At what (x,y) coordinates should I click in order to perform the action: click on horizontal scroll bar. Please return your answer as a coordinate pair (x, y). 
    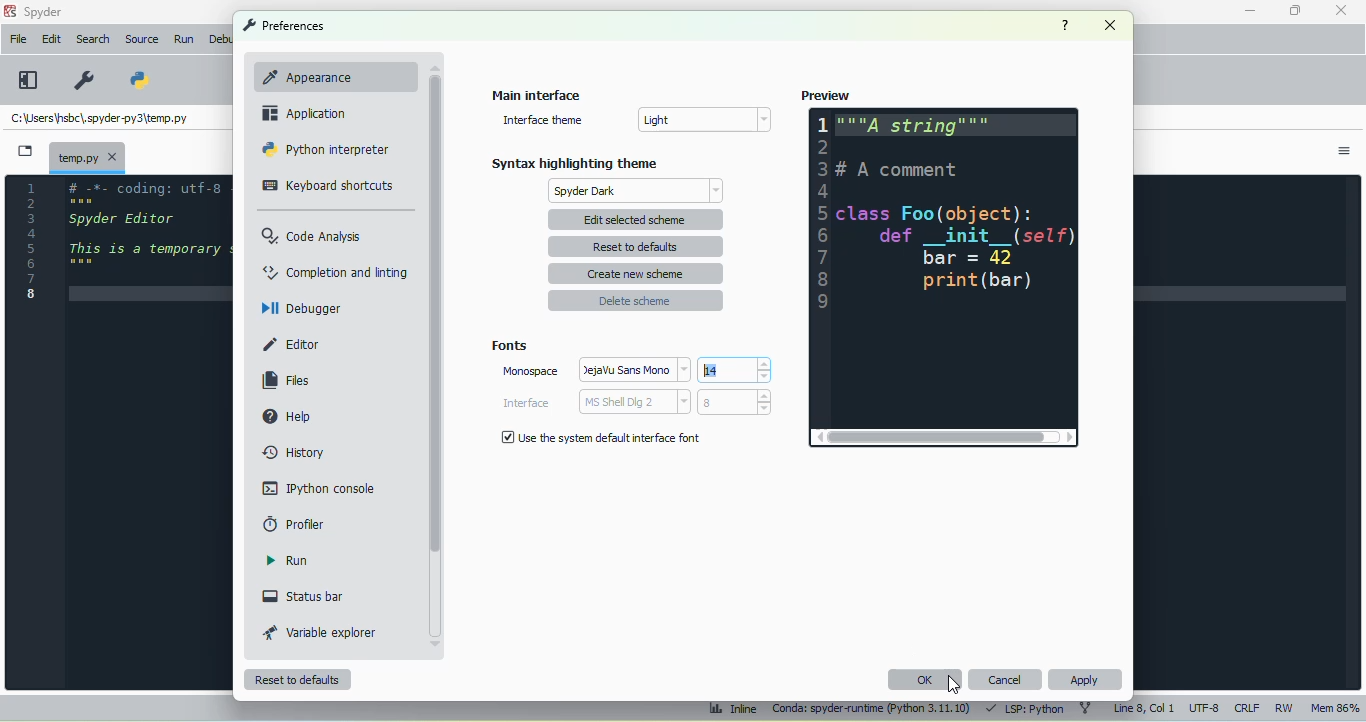
    Looking at the image, I should click on (937, 437).